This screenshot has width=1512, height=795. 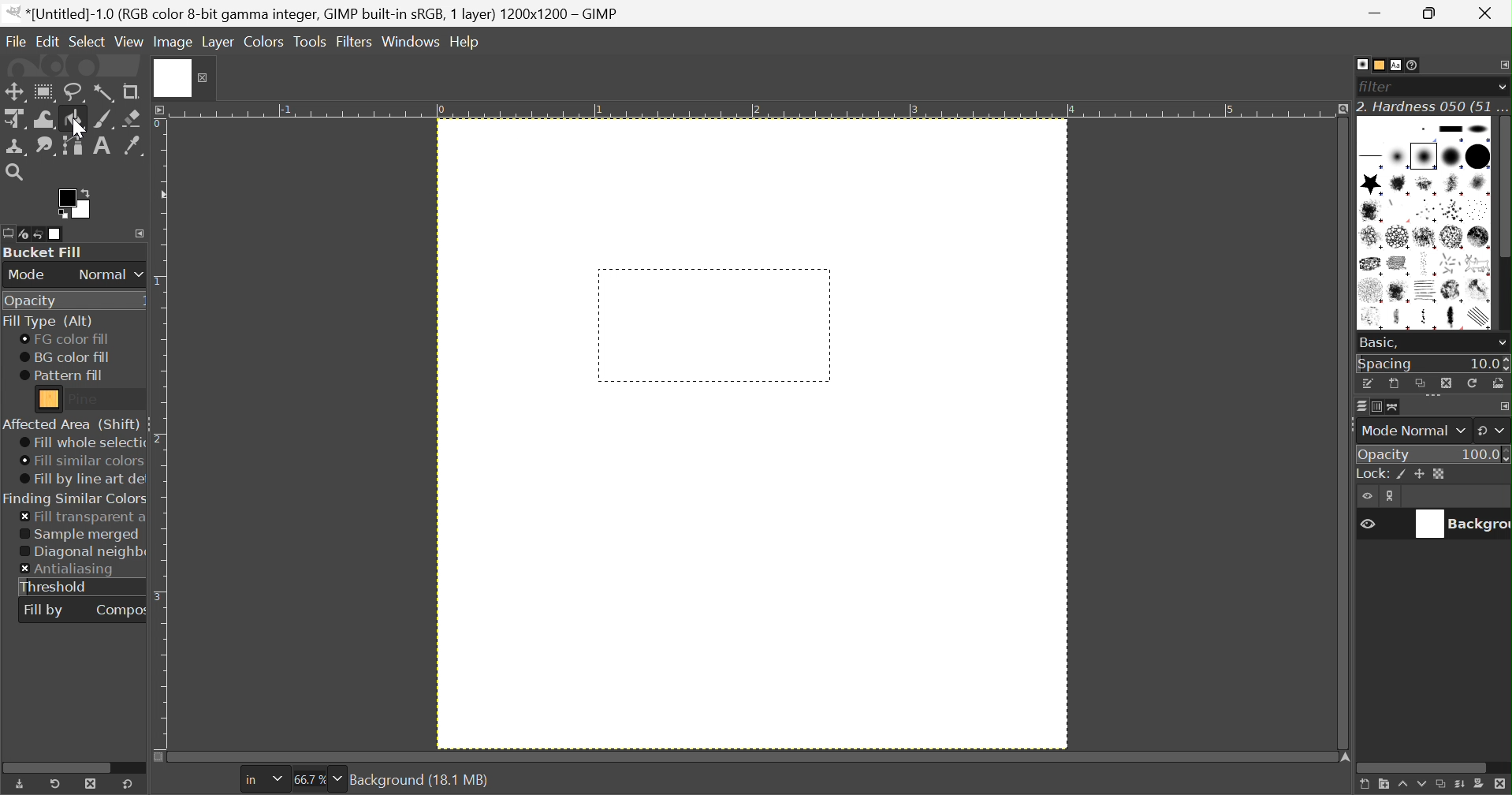 What do you see at coordinates (263, 780) in the screenshot?
I see `inches` at bounding box center [263, 780].